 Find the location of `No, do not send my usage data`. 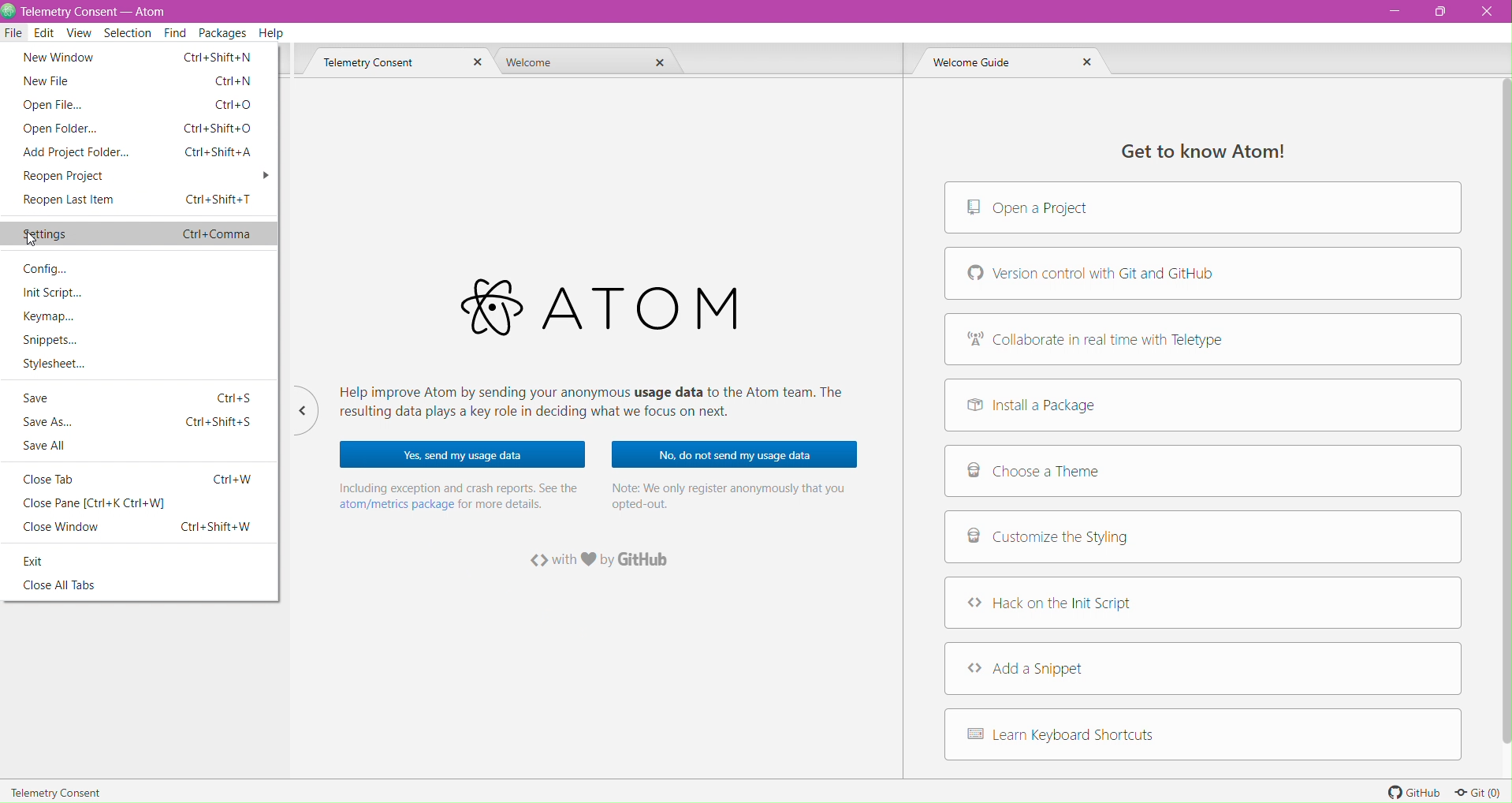

No, do not send my usage data is located at coordinates (732, 455).